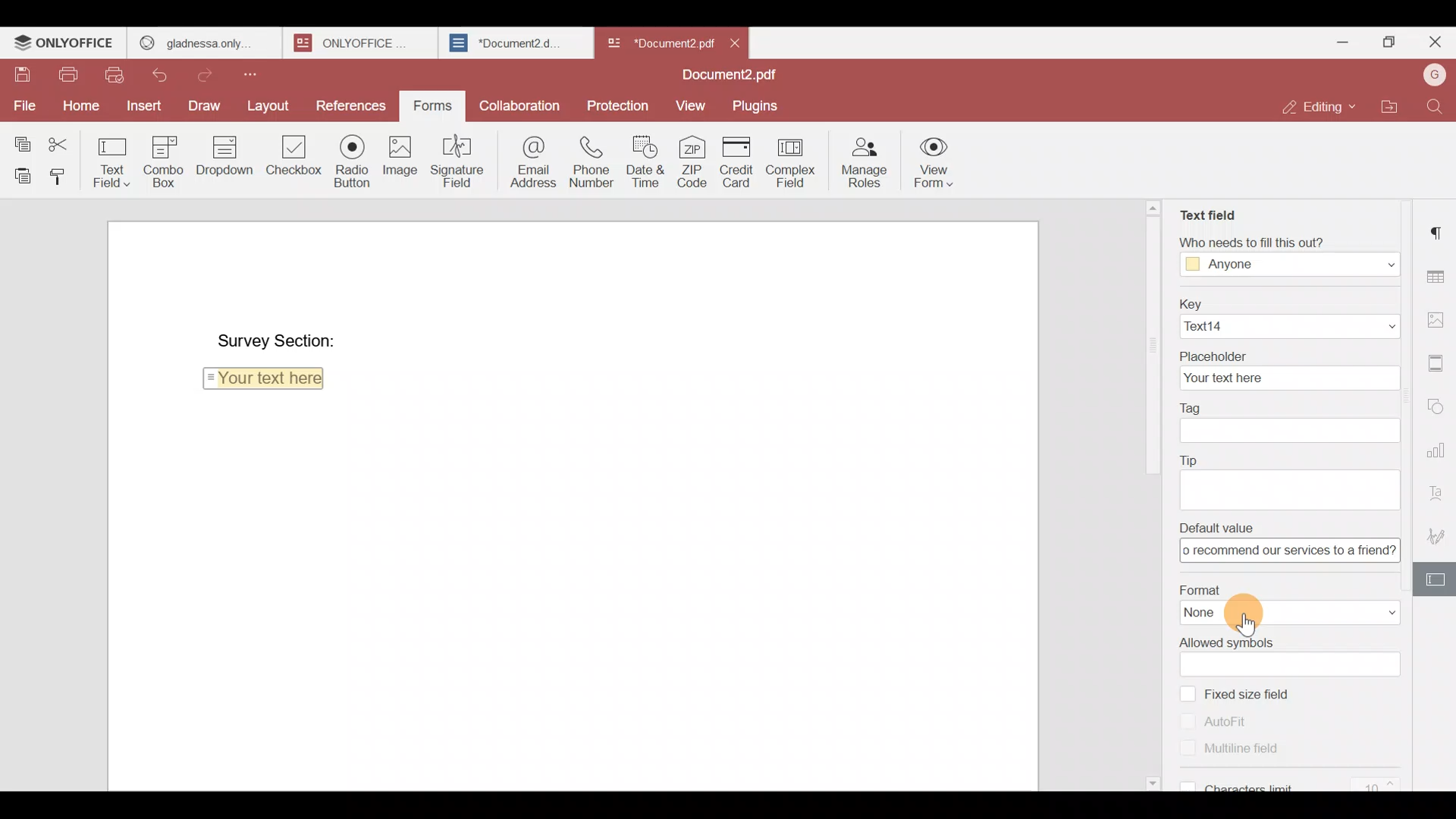  What do you see at coordinates (399, 158) in the screenshot?
I see `Image` at bounding box center [399, 158].